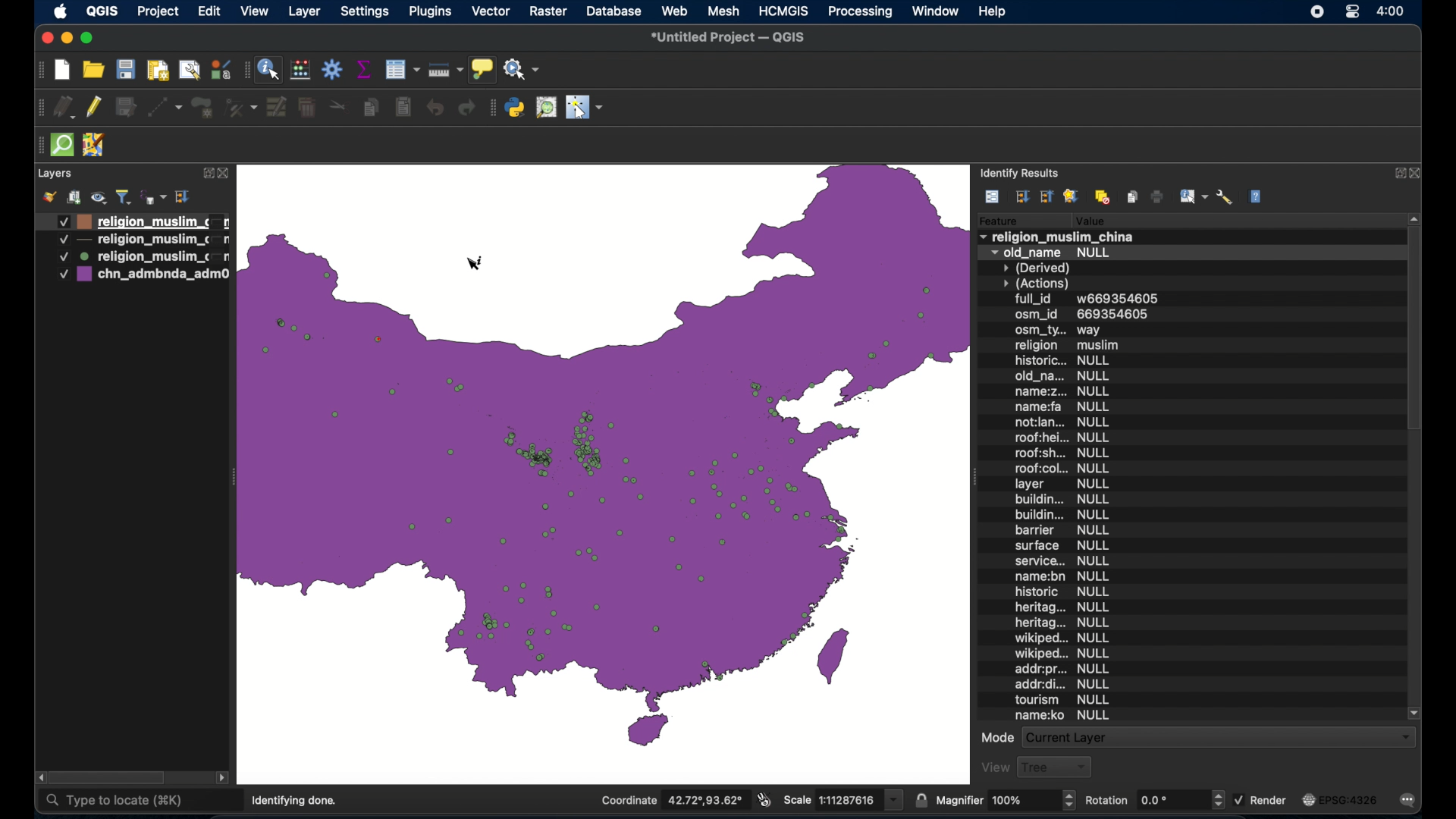  Describe the element at coordinates (991, 766) in the screenshot. I see `view` at that location.